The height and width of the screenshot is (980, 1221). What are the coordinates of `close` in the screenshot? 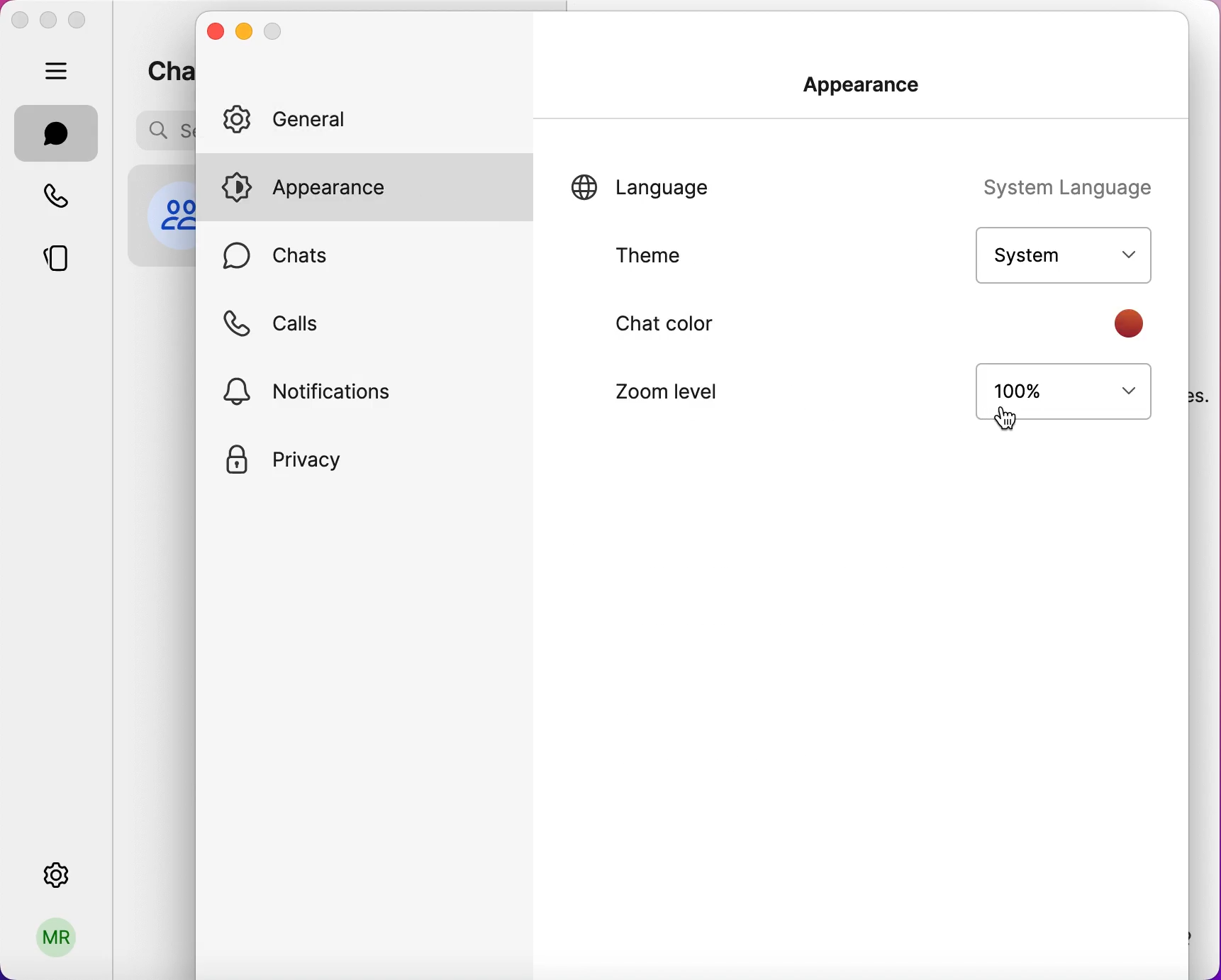 It's located at (213, 31).